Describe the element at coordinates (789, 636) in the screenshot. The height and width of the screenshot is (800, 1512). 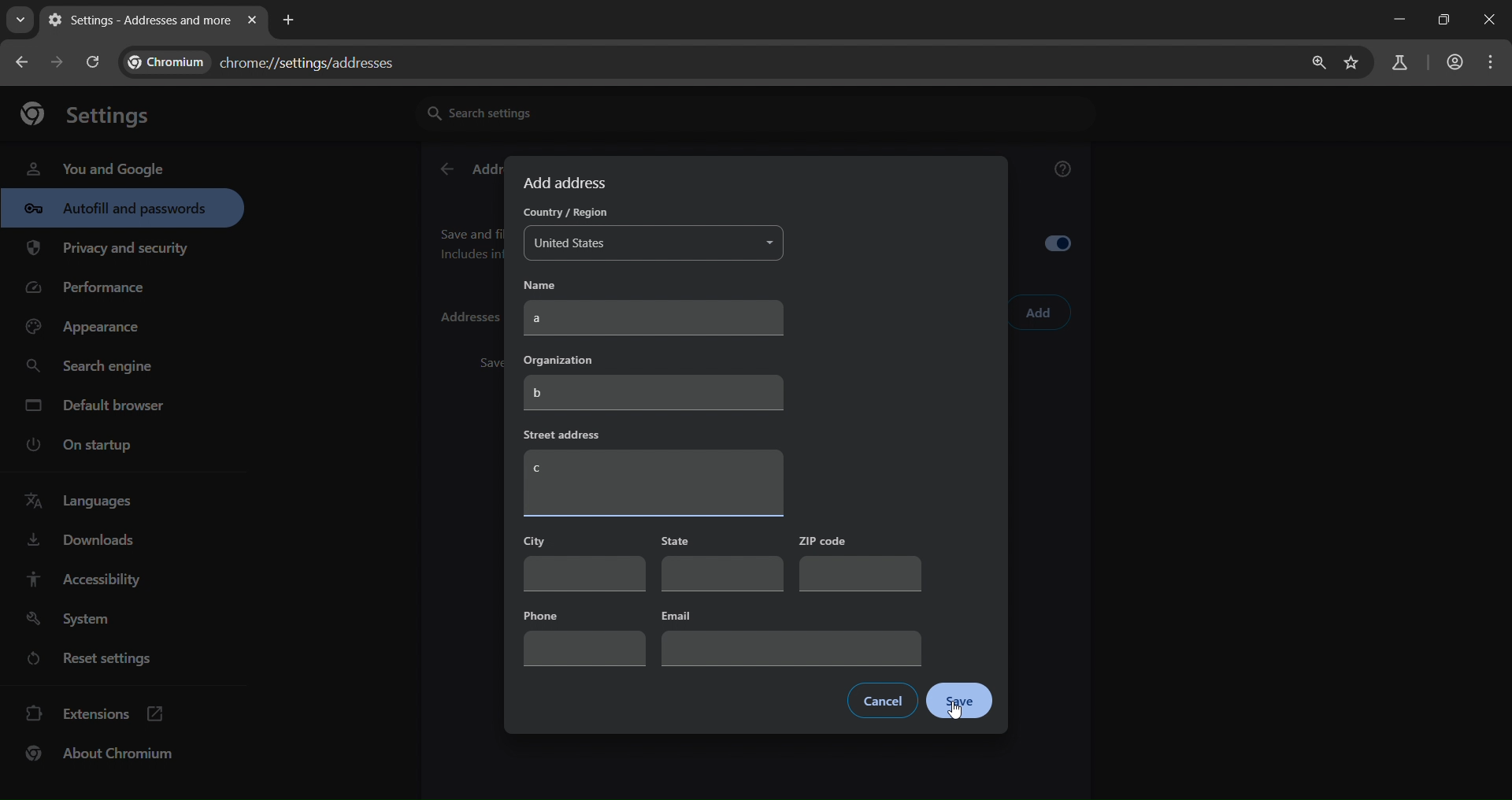
I see `email` at that location.